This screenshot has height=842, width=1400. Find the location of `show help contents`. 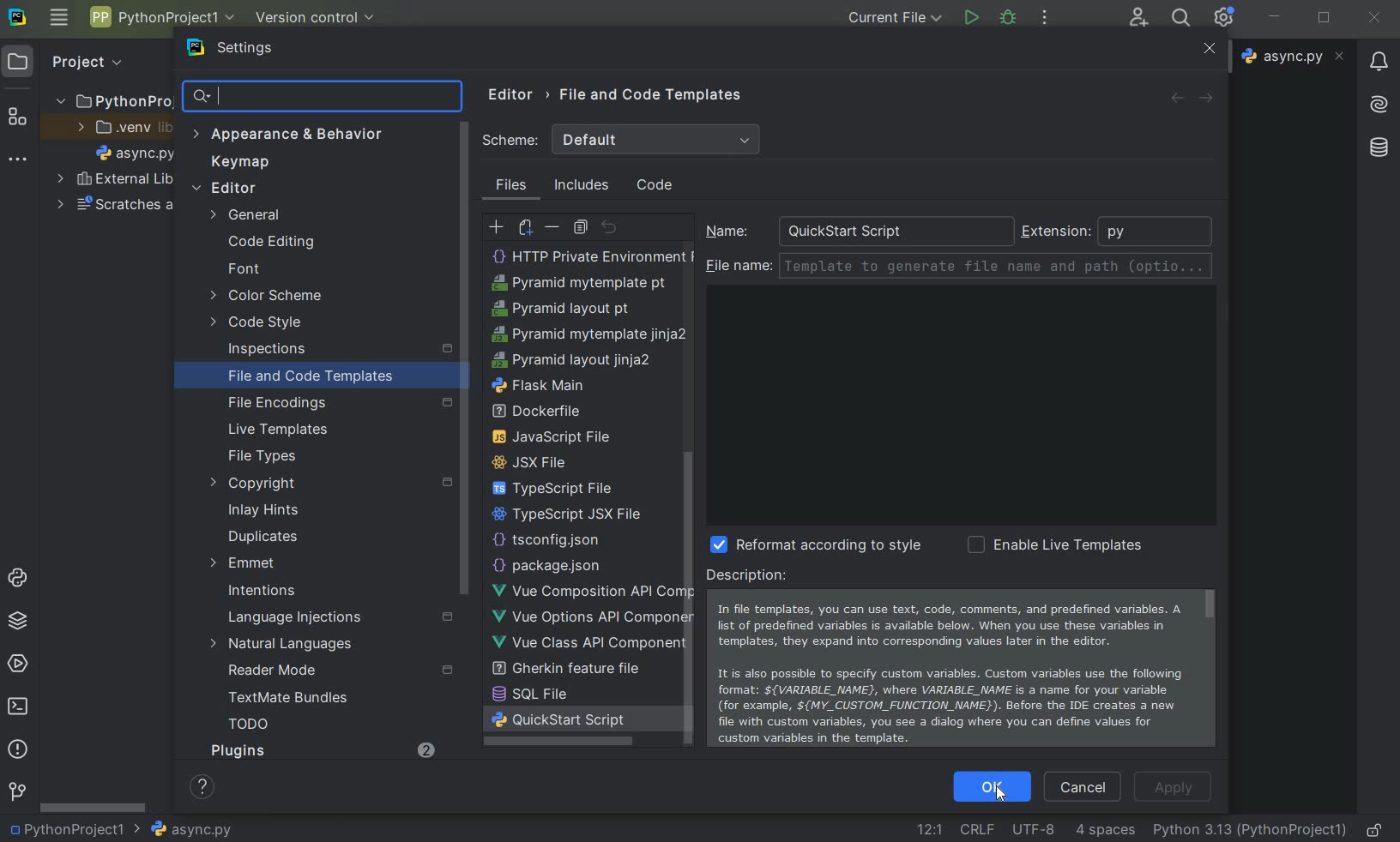

show help contents is located at coordinates (206, 790).